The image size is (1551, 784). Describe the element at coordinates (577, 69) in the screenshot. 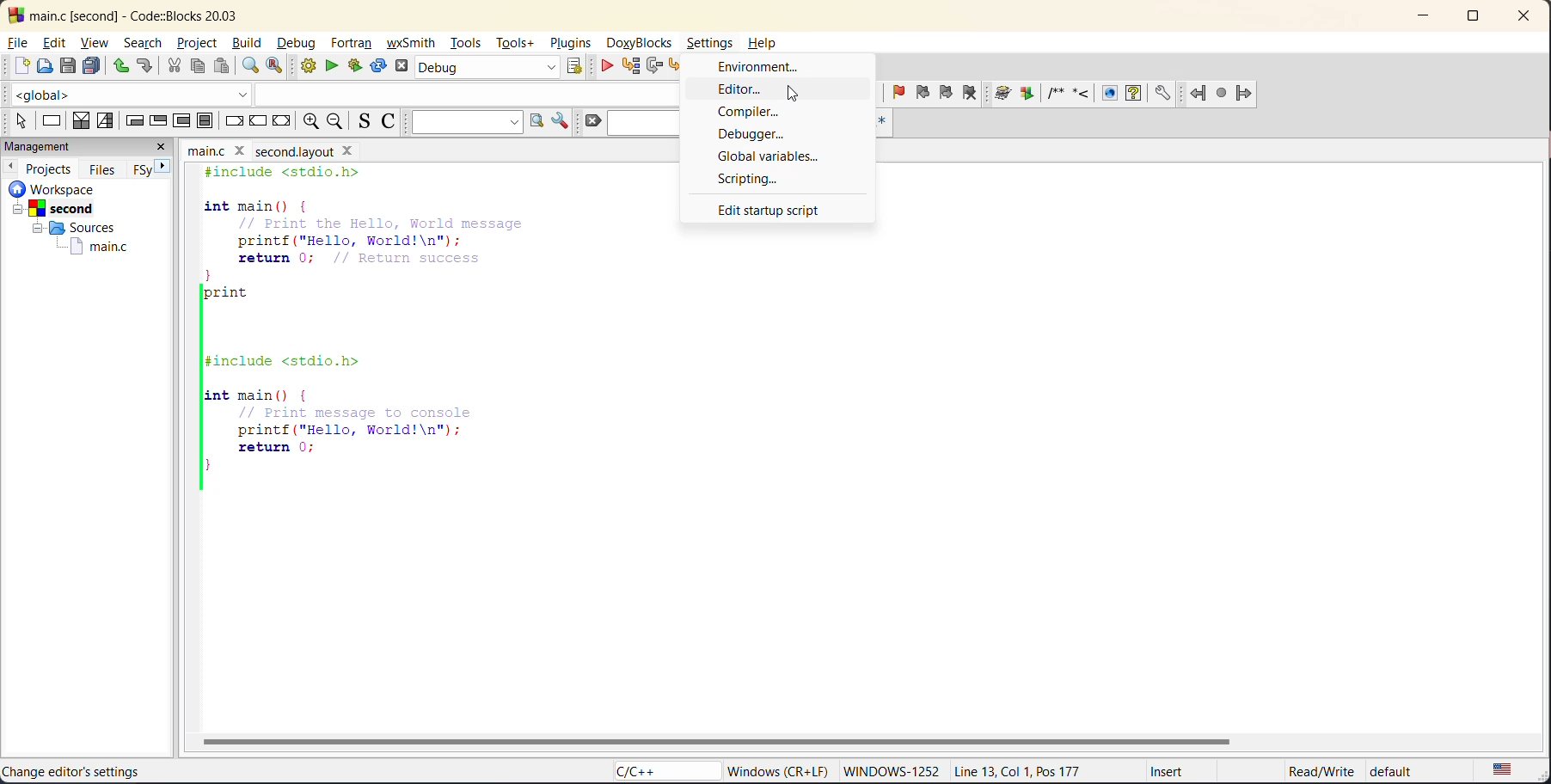

I see `show select target dialog` at that location.